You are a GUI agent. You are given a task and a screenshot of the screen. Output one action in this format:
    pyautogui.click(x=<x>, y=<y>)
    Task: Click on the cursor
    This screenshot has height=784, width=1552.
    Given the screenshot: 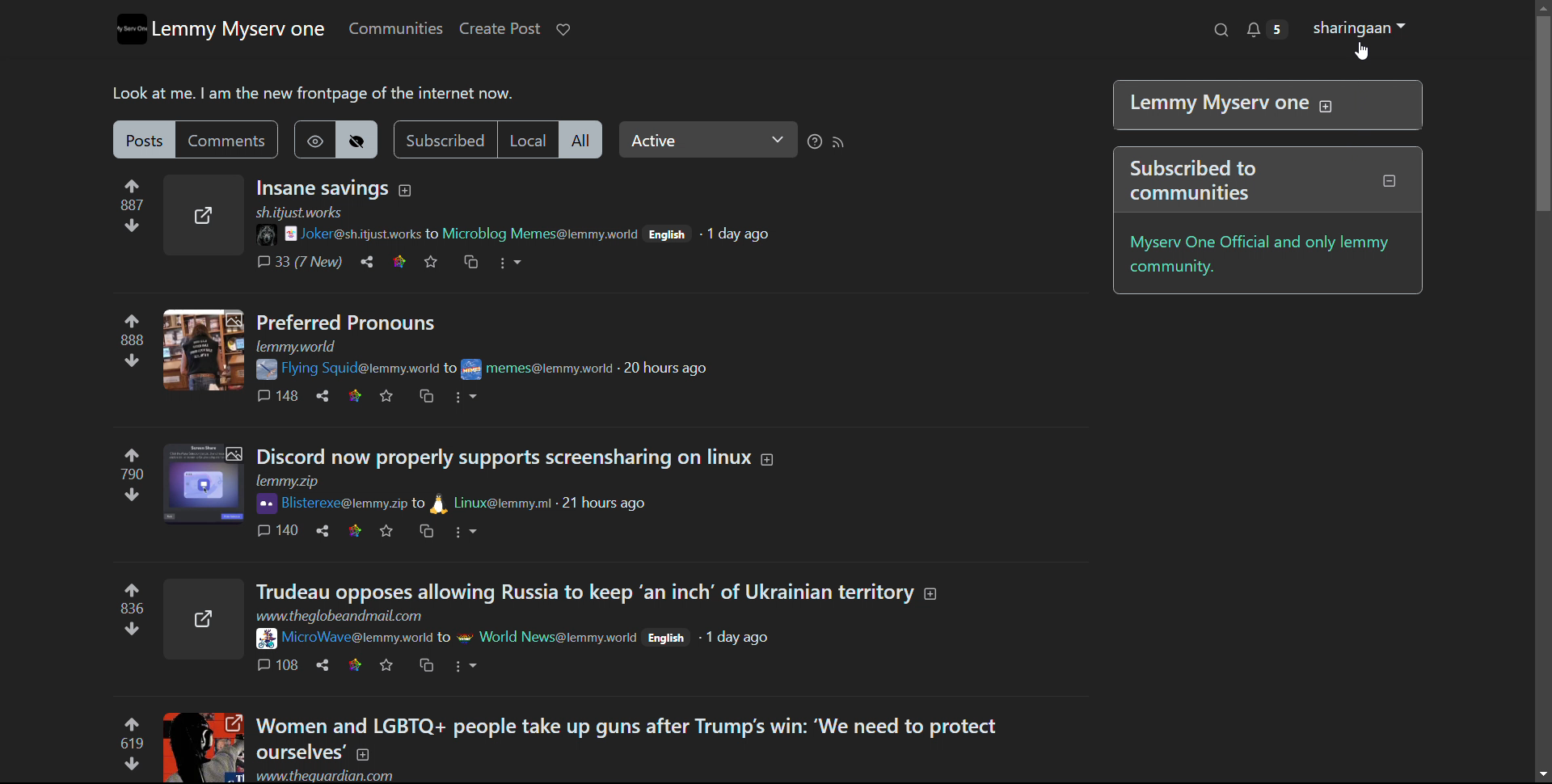 What is the action you would take?
    pyautogui.click(x=1363, y=51)
    